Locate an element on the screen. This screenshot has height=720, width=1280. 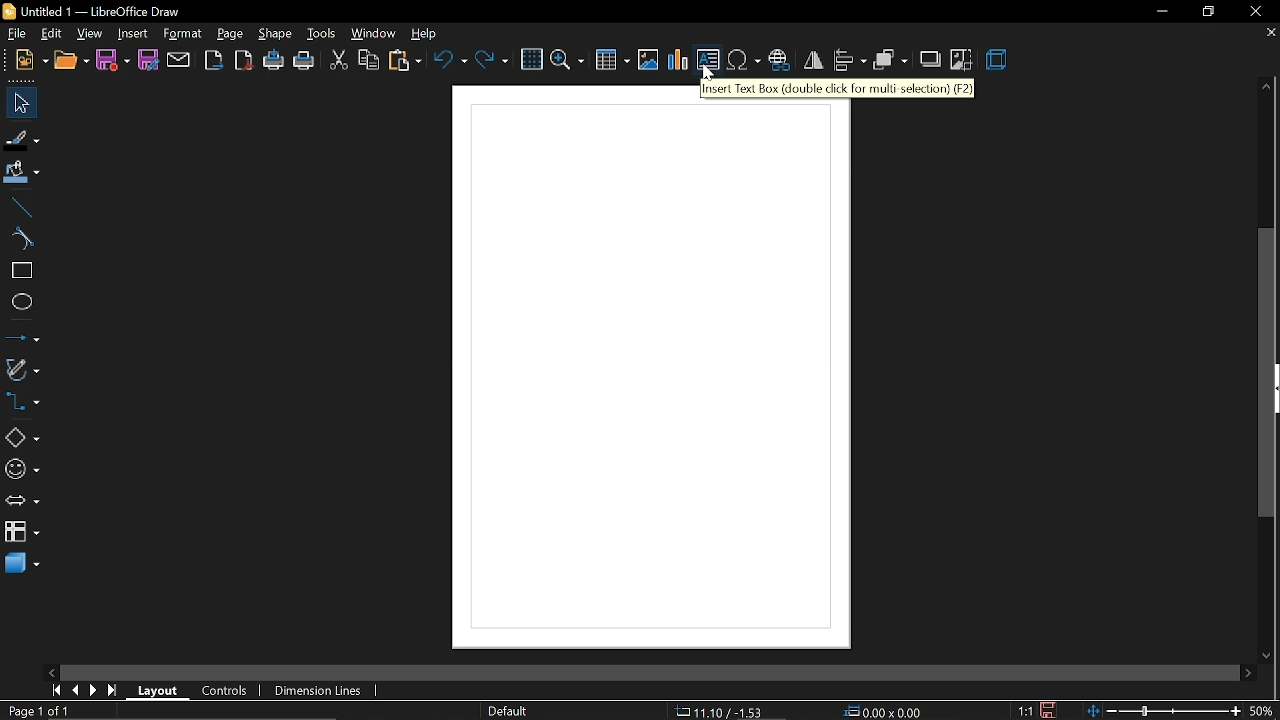
rectangle is located at coordinates (19, 272).